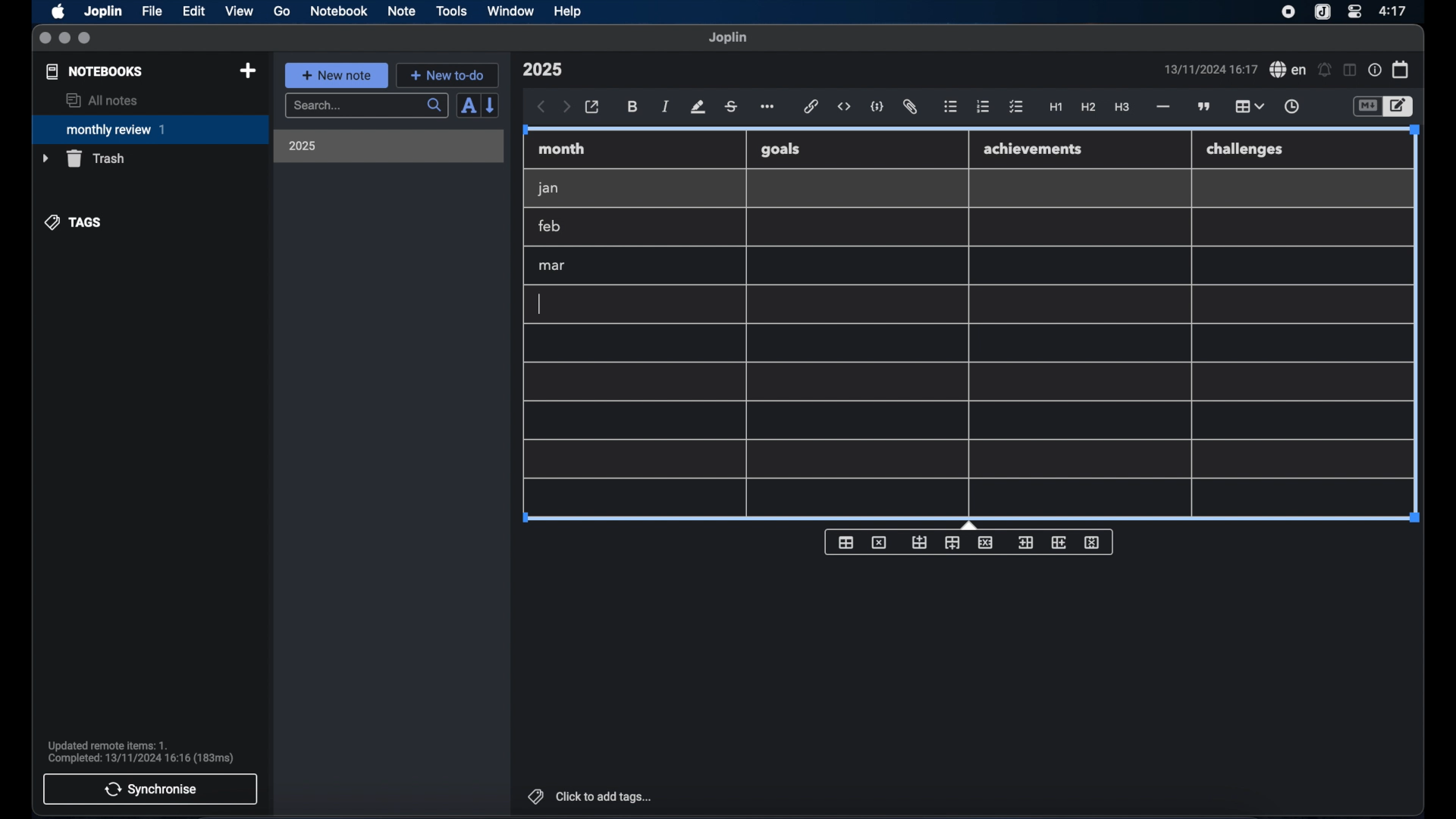  Describe the element at coordinates (1401, 69) in the screenshot. I see `calendar` at that location.